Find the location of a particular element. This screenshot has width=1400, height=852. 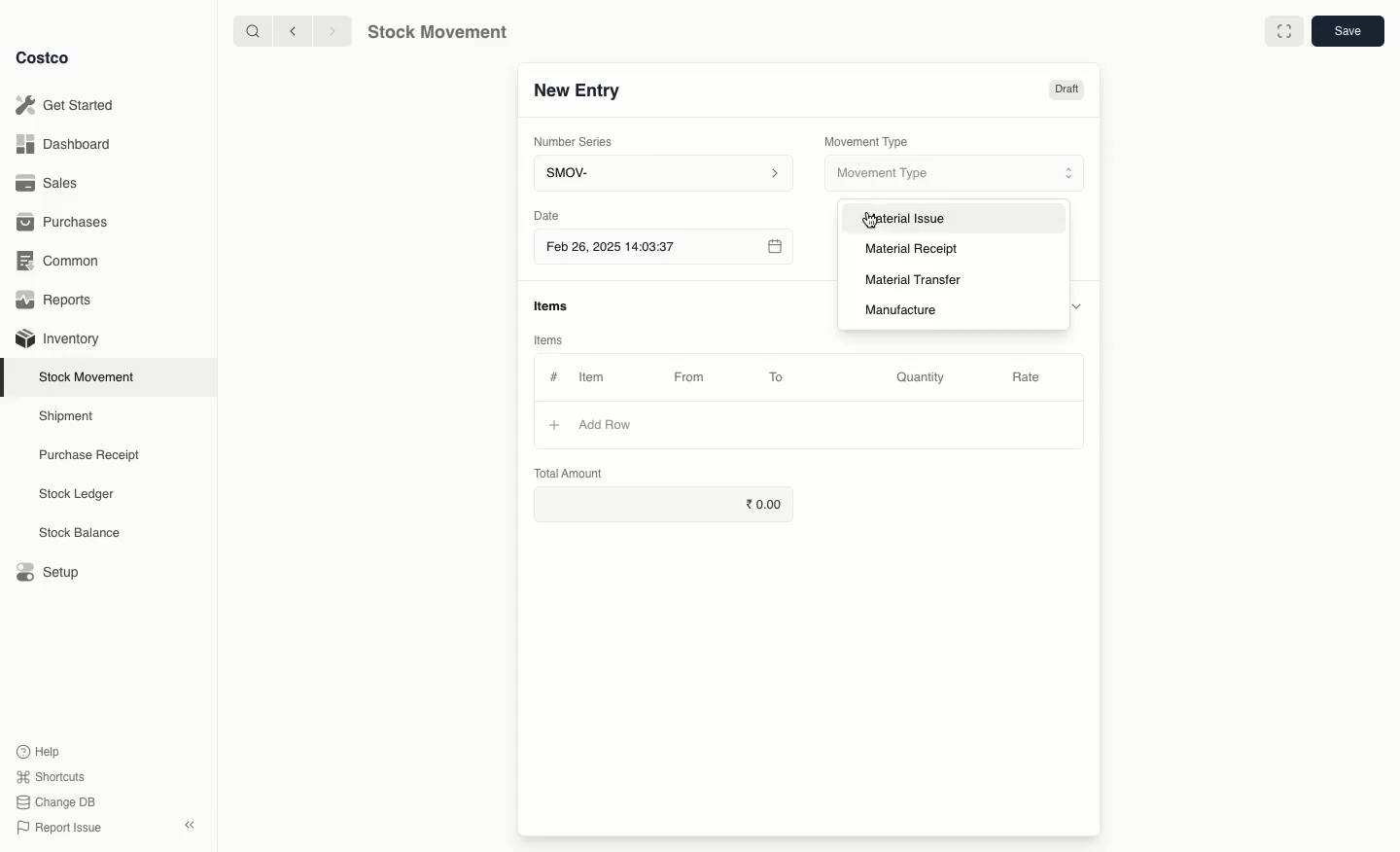

items is located at coordinates (553, 306).